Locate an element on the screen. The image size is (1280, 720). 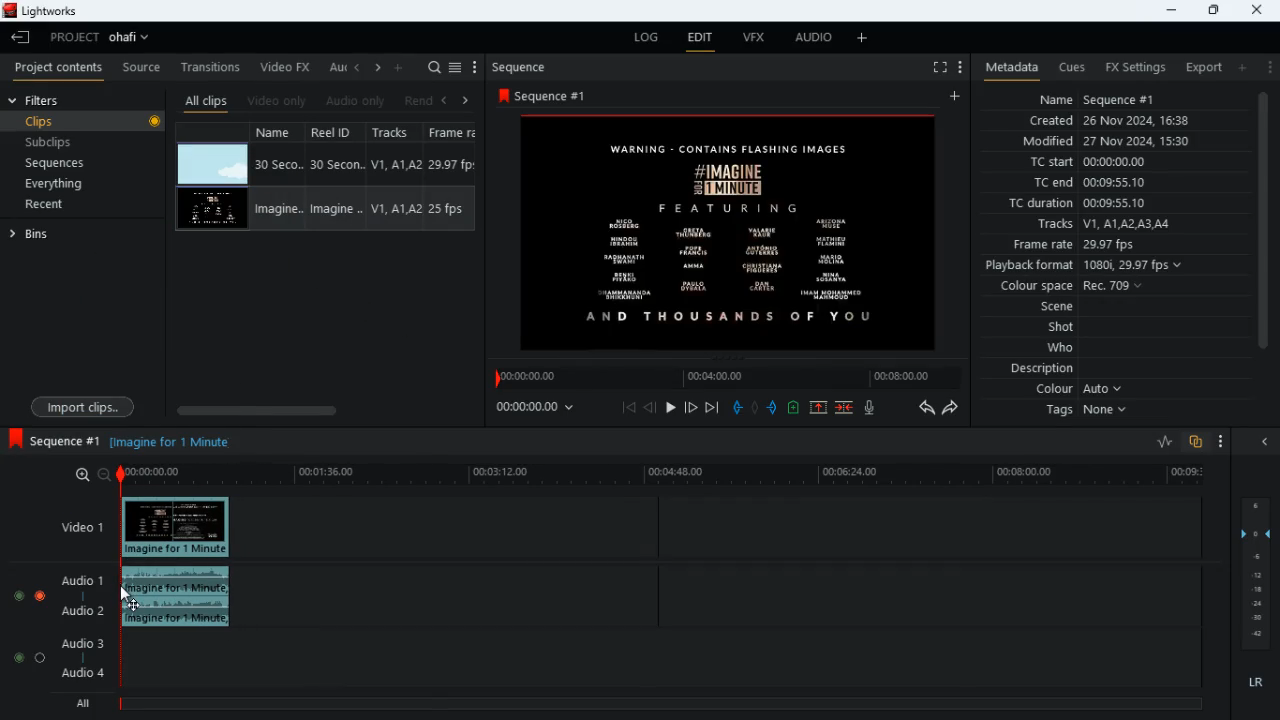
right is located at coordinates (378, 69).